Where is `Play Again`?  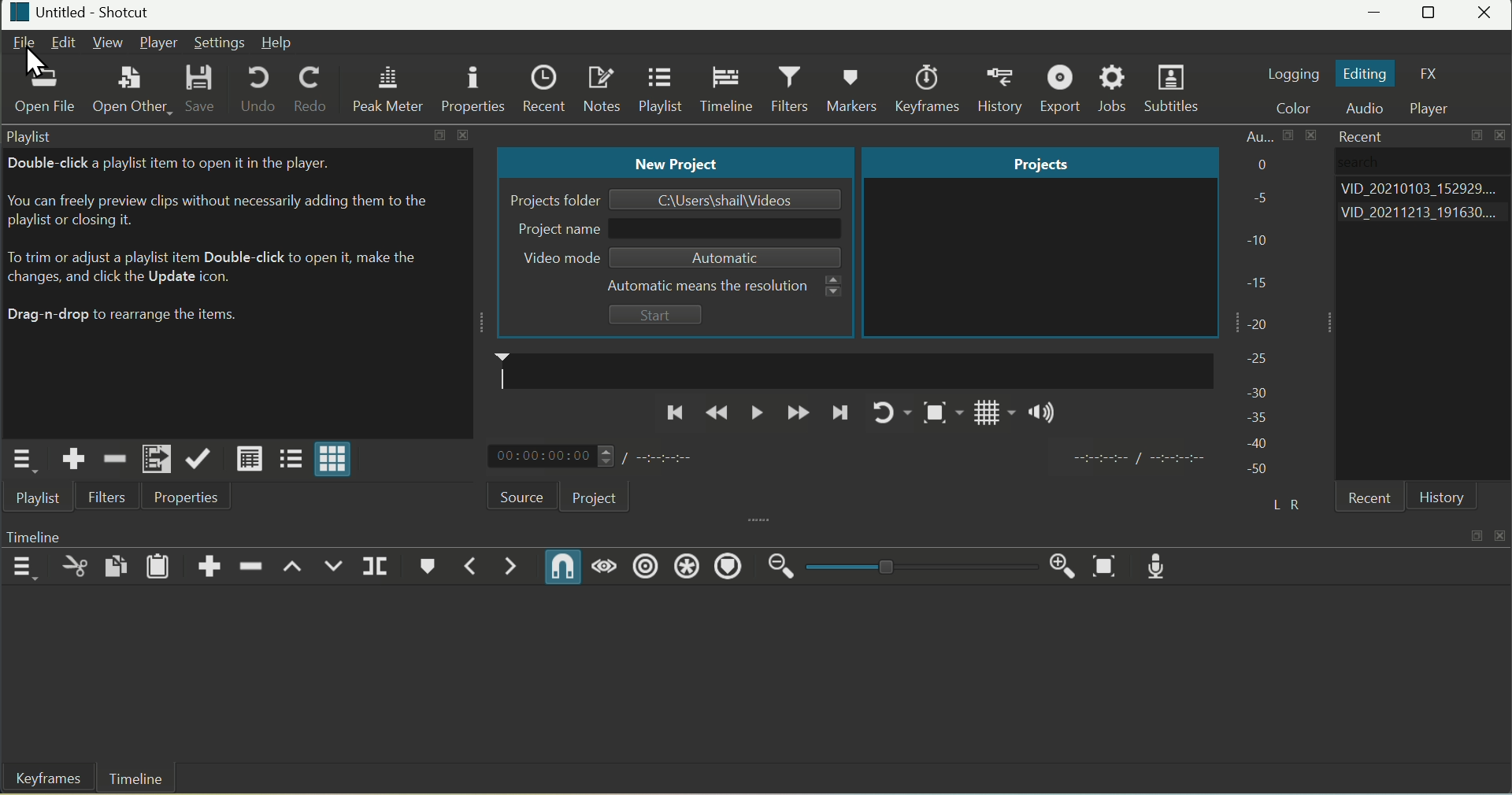
Play Again is located at coordinates (884, 412).